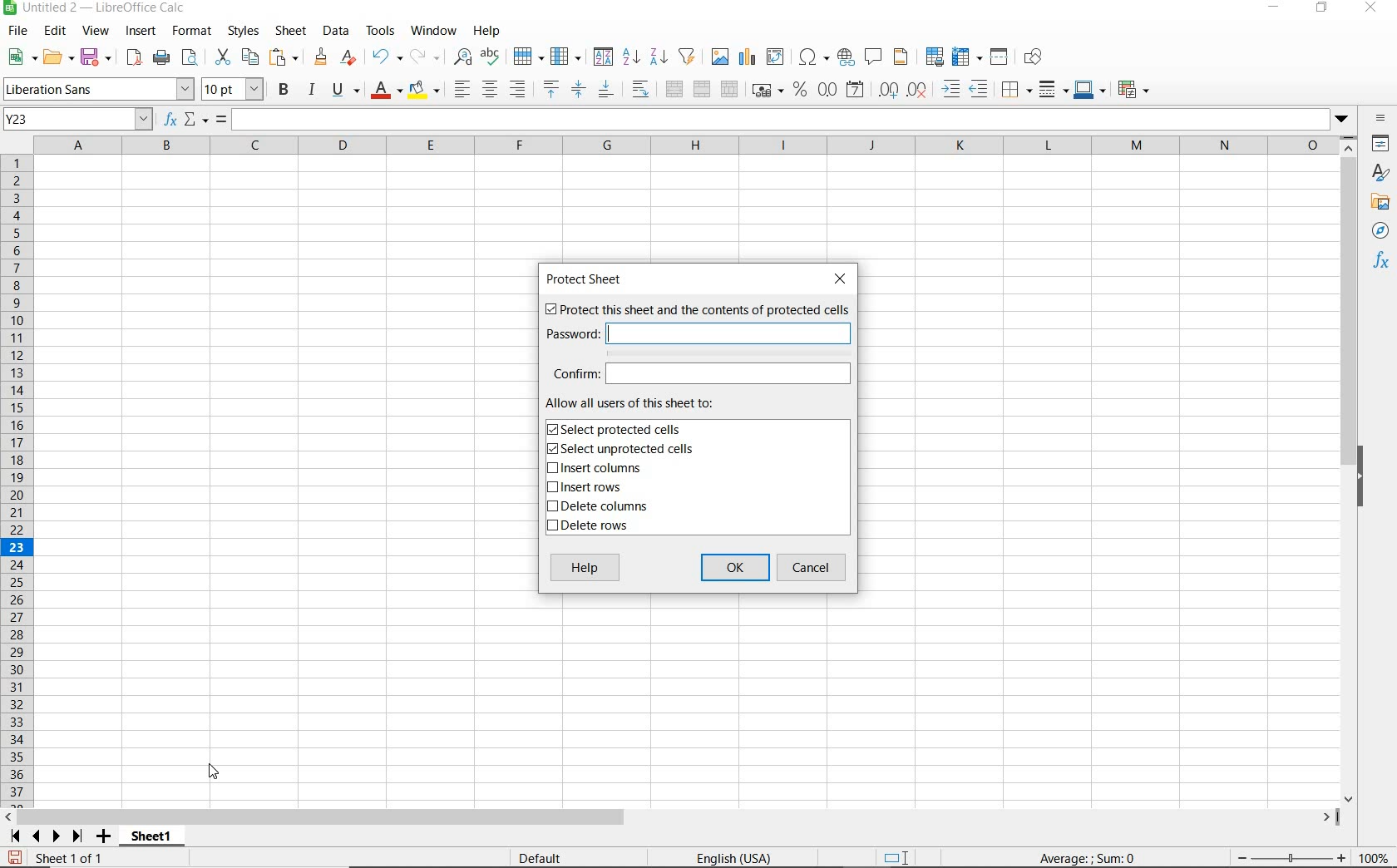 This screenshot has width=1397, height=868. I want to click on SAVE, so click(96, 57).